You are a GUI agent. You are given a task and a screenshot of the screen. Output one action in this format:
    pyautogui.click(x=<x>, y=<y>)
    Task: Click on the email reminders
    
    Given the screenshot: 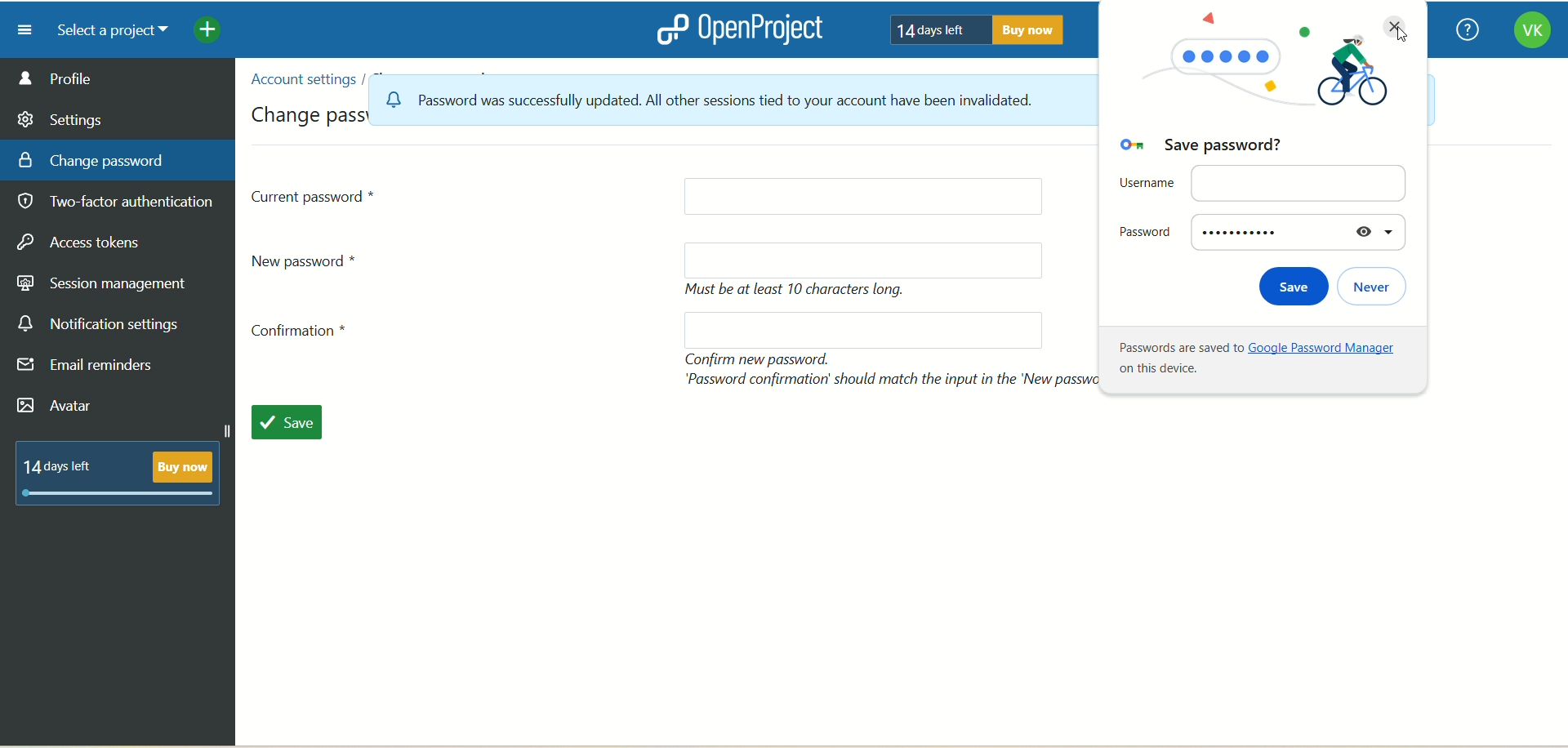 What is the action you would take?
    pyautogui.click(x=90, y=368)
    